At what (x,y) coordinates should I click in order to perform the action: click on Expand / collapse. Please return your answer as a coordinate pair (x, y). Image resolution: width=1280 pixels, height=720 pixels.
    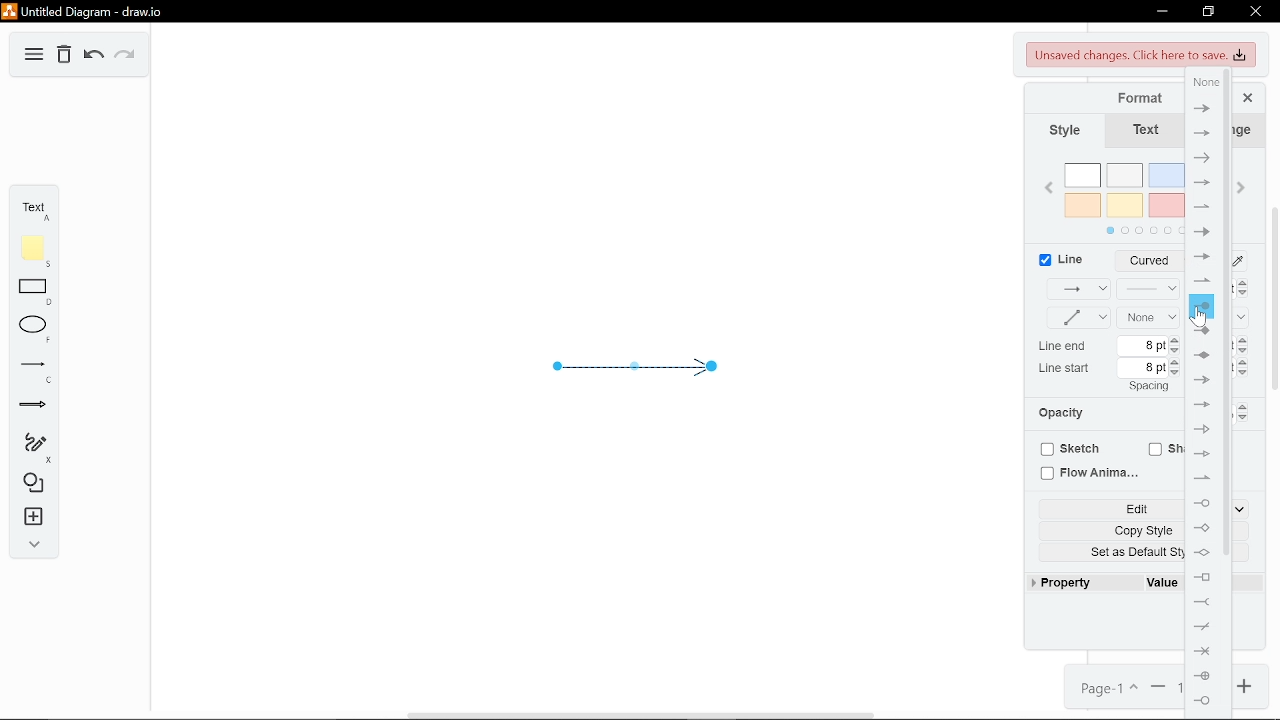
    Looking at the image, I should click on (34, 542).